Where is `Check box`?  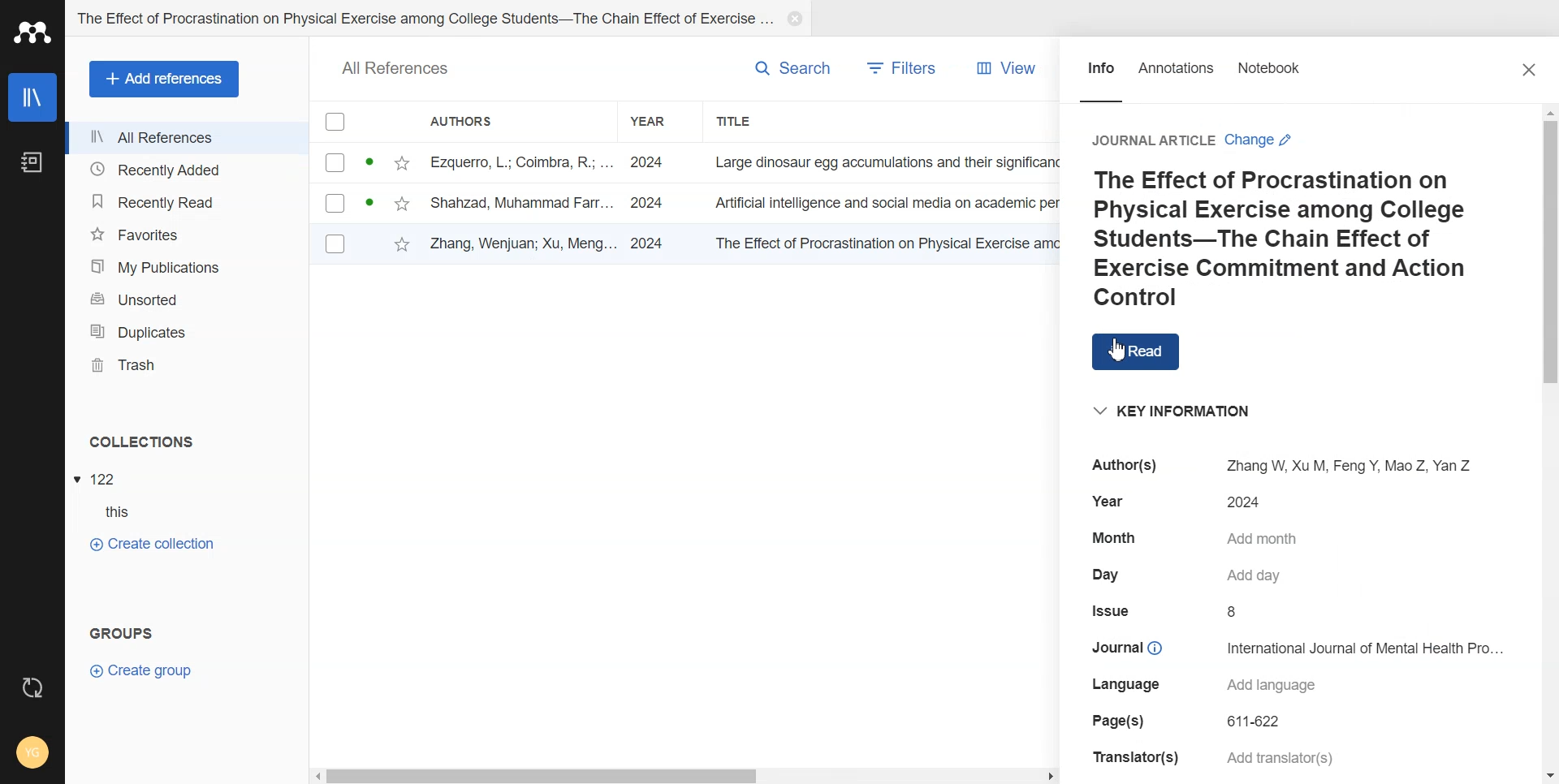 Check box is located at coordinates (335, 123).